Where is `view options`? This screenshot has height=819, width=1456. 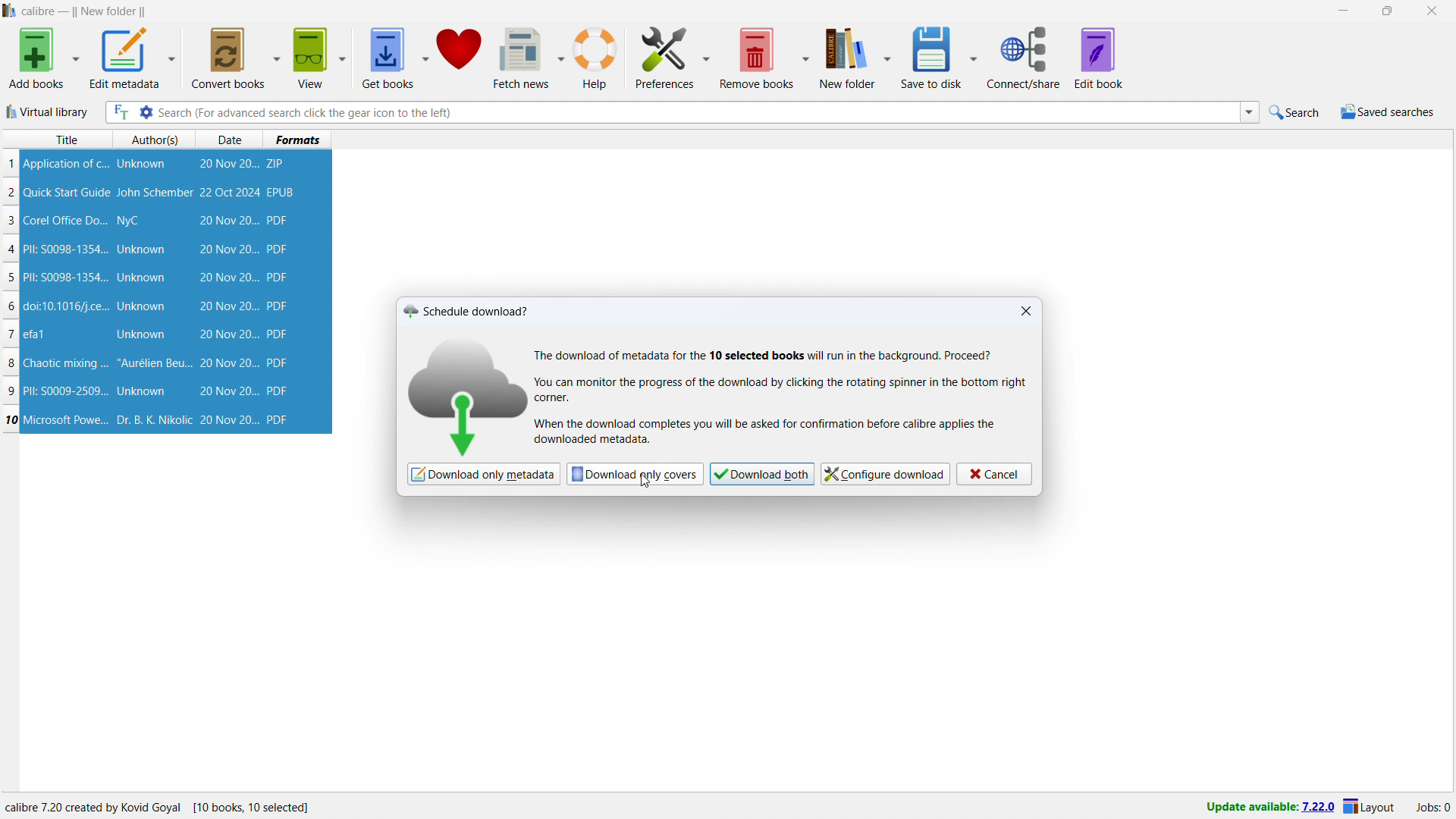
view options is located at coordinates (342, 58).